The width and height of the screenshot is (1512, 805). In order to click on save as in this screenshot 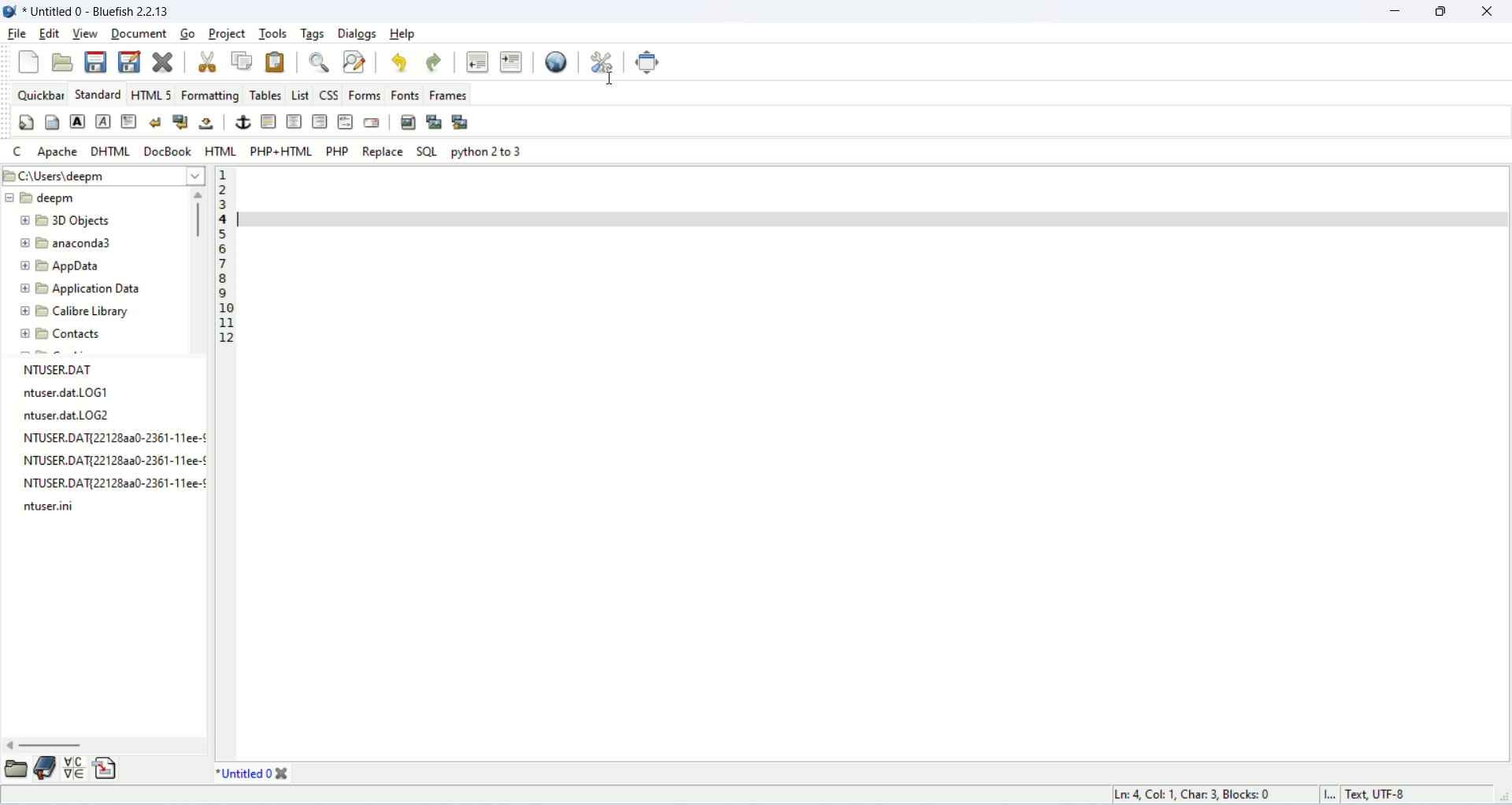, I will do `click(130, 61)`.